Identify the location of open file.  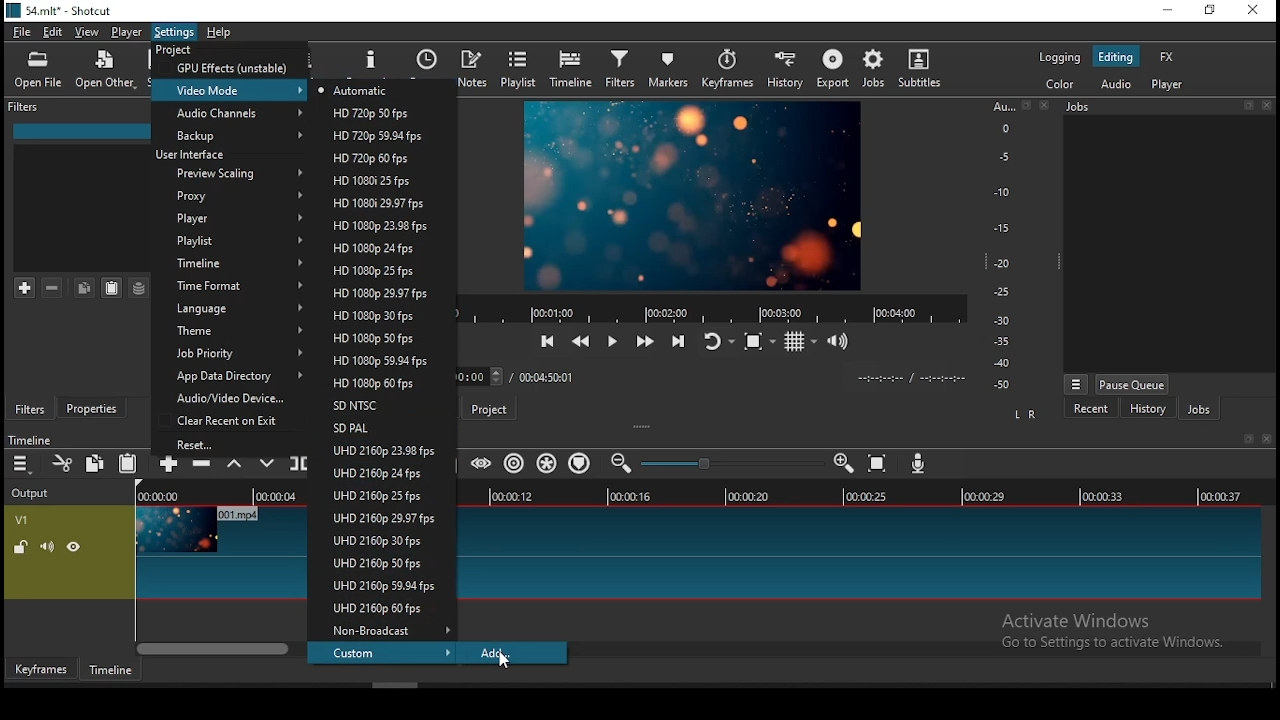
(38, 73).